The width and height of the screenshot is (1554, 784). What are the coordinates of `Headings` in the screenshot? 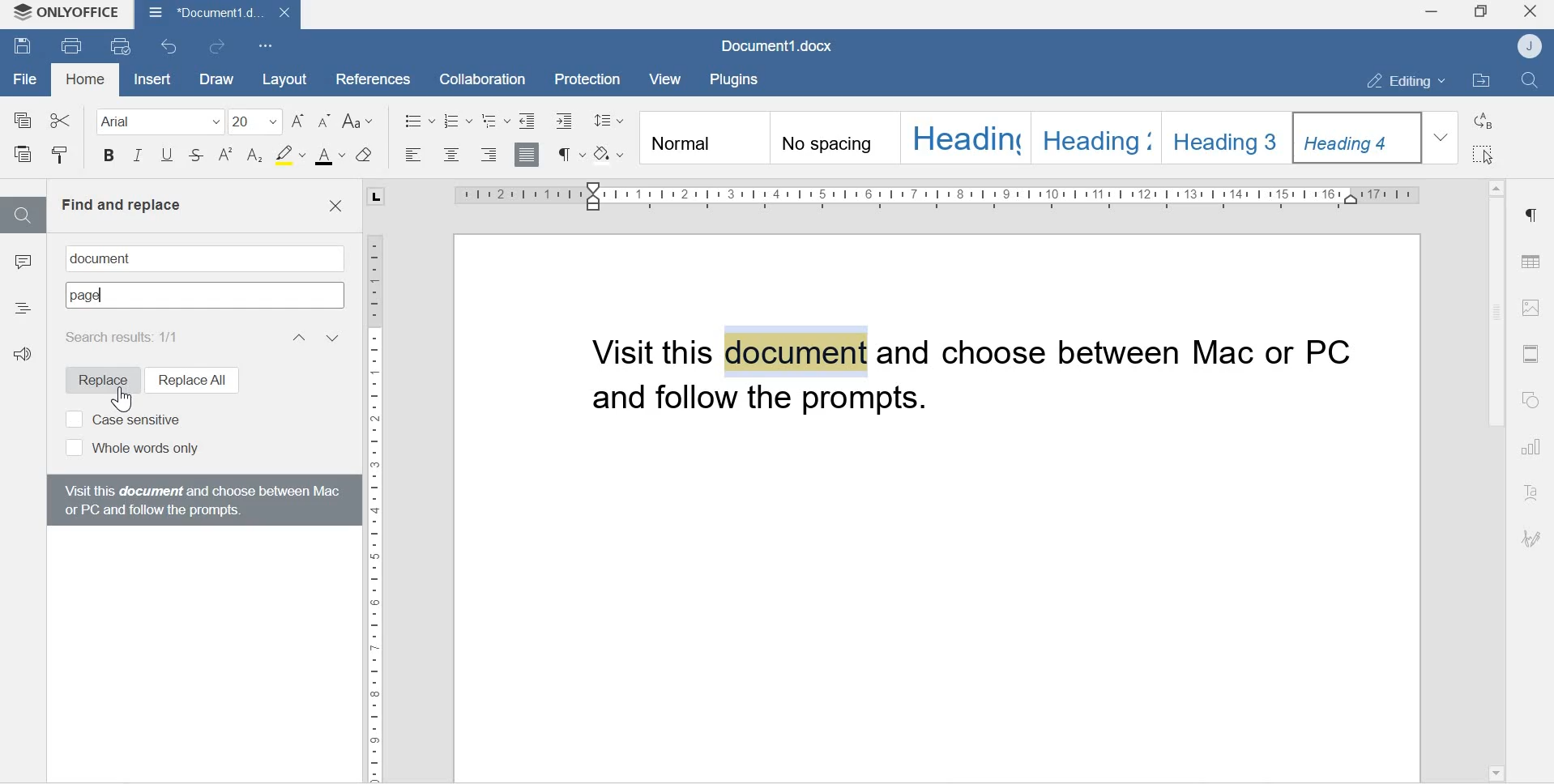 It's located at (23, 306).